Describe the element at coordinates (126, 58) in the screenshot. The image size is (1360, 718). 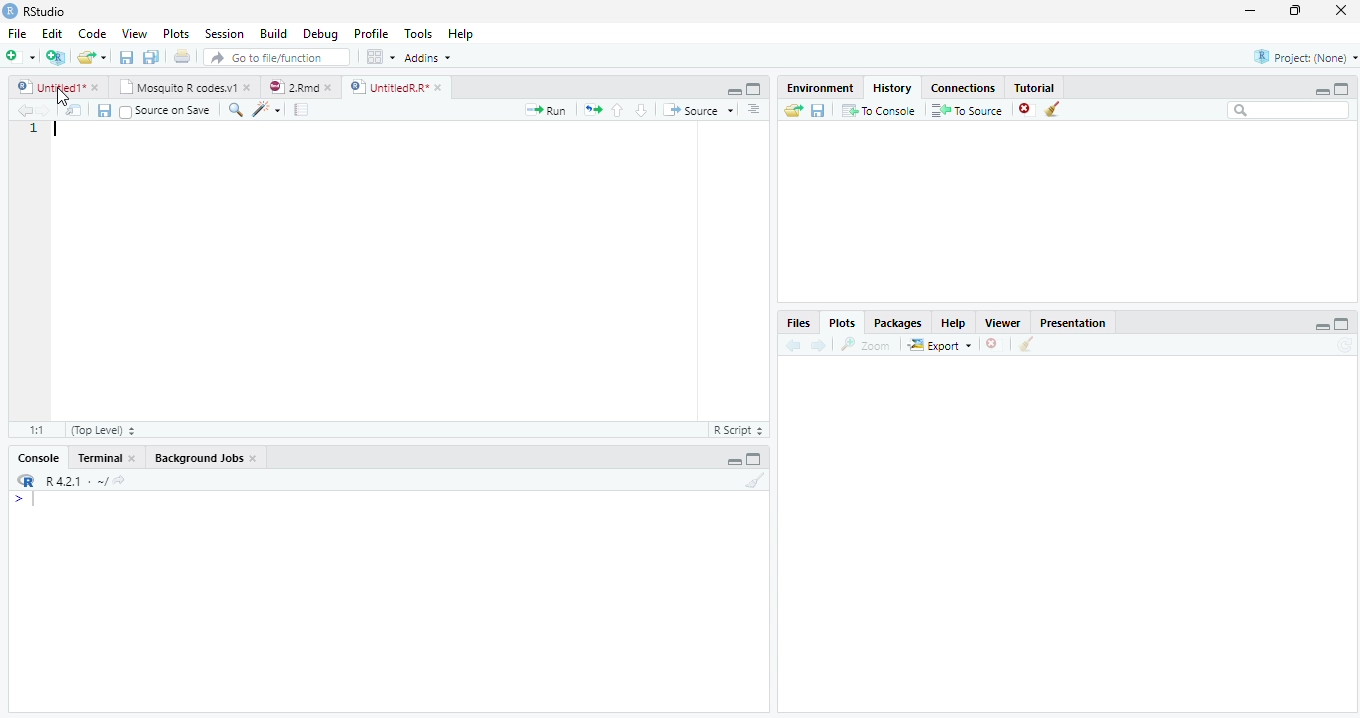
I see `Save` at that location.